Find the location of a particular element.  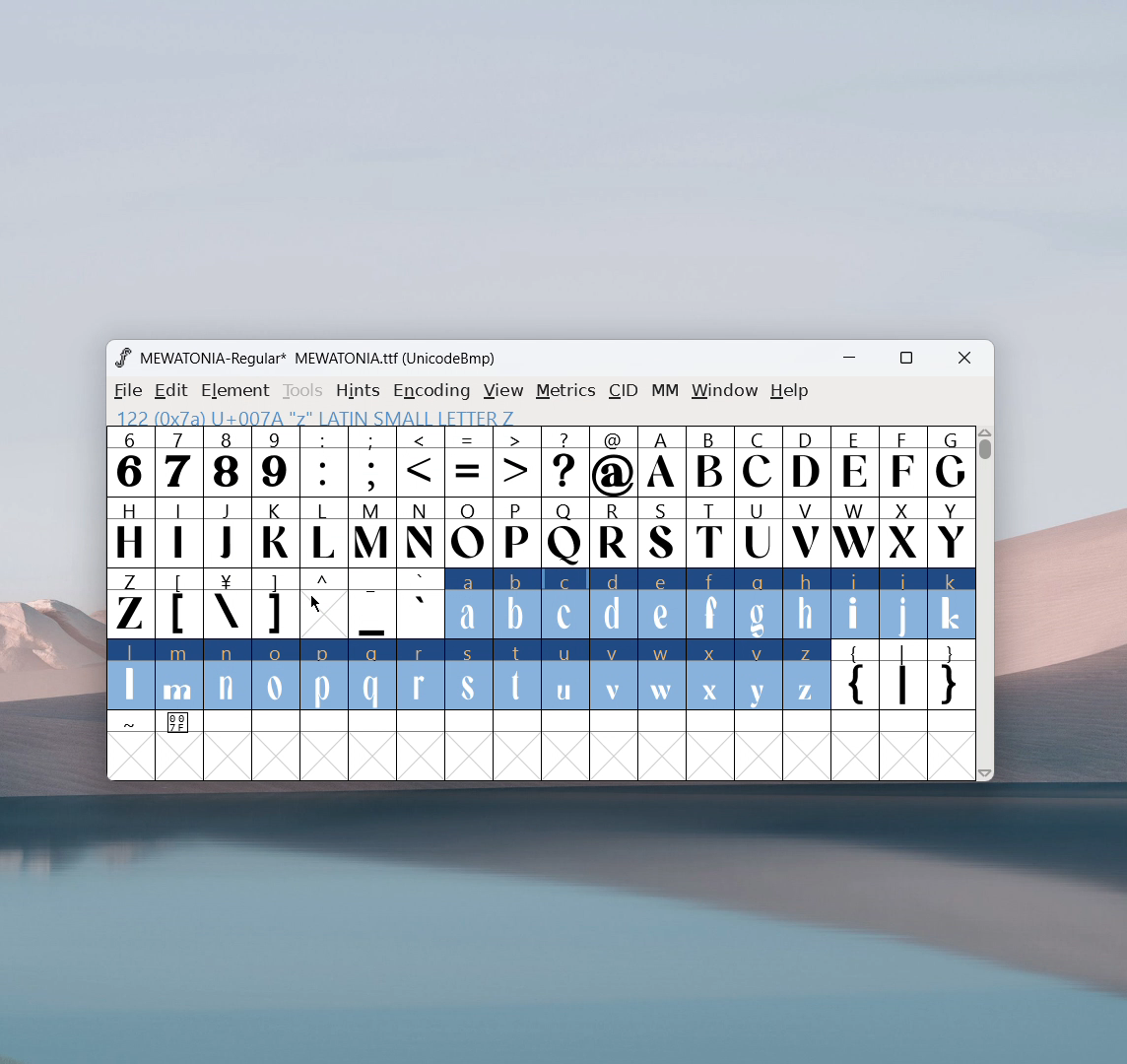

Q is located at coordinates (564, 534).